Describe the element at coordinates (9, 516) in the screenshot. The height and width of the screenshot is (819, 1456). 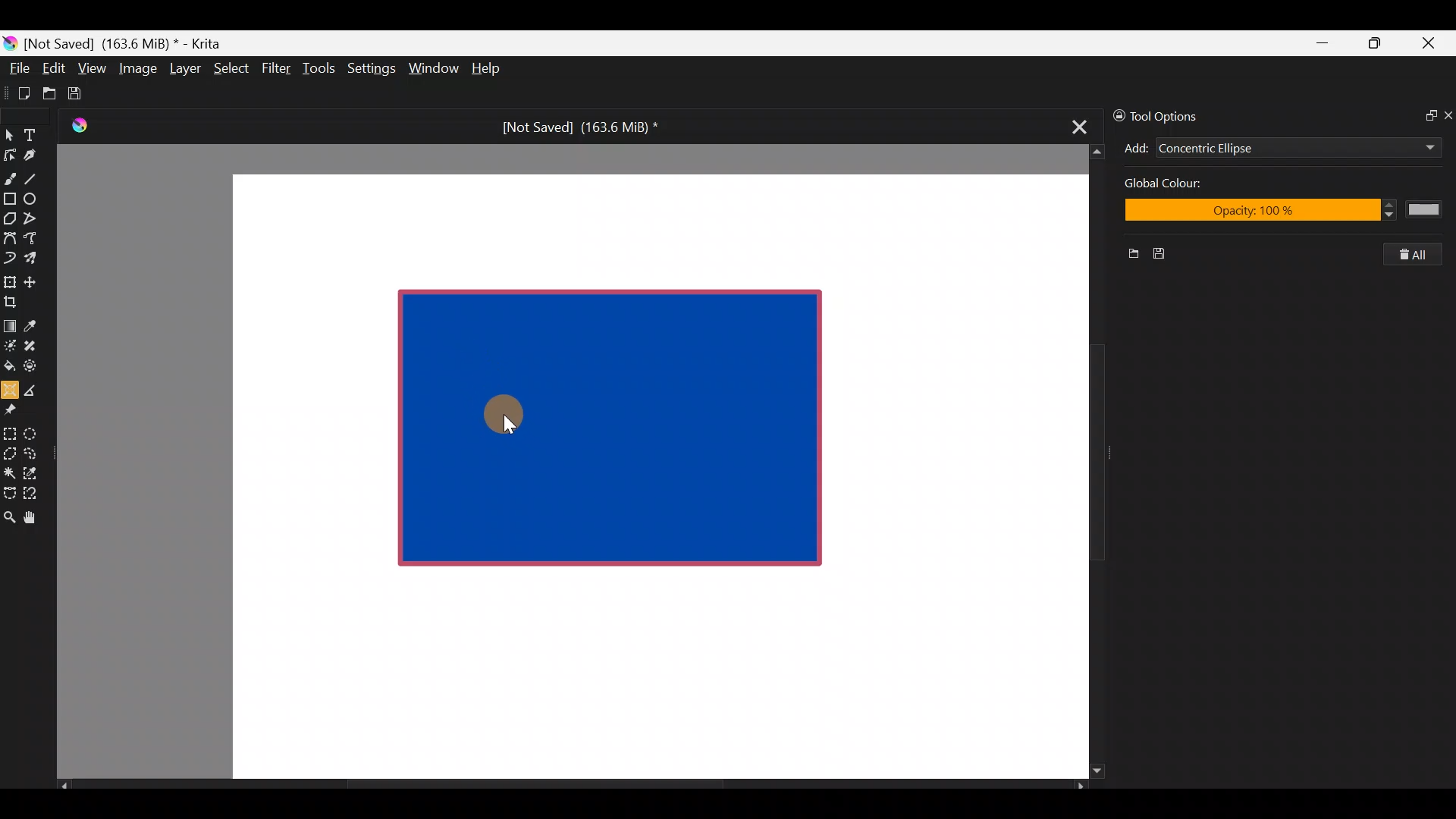
I see `Zoom tool` at that location.